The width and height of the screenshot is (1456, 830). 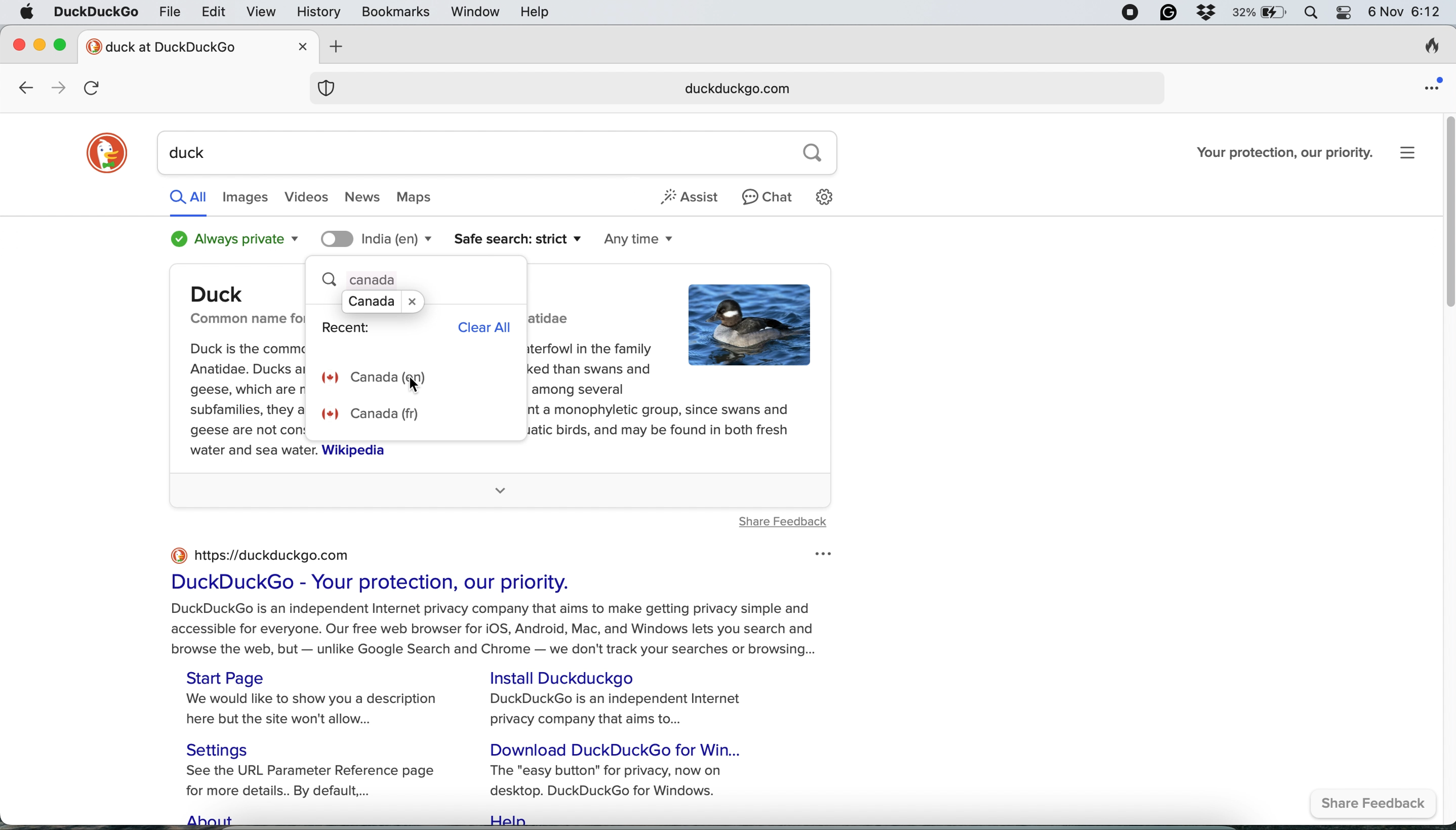 What do you see at coordinates (304, 46) in the screenshot?
I see `close` at bounding box center [304, 46].